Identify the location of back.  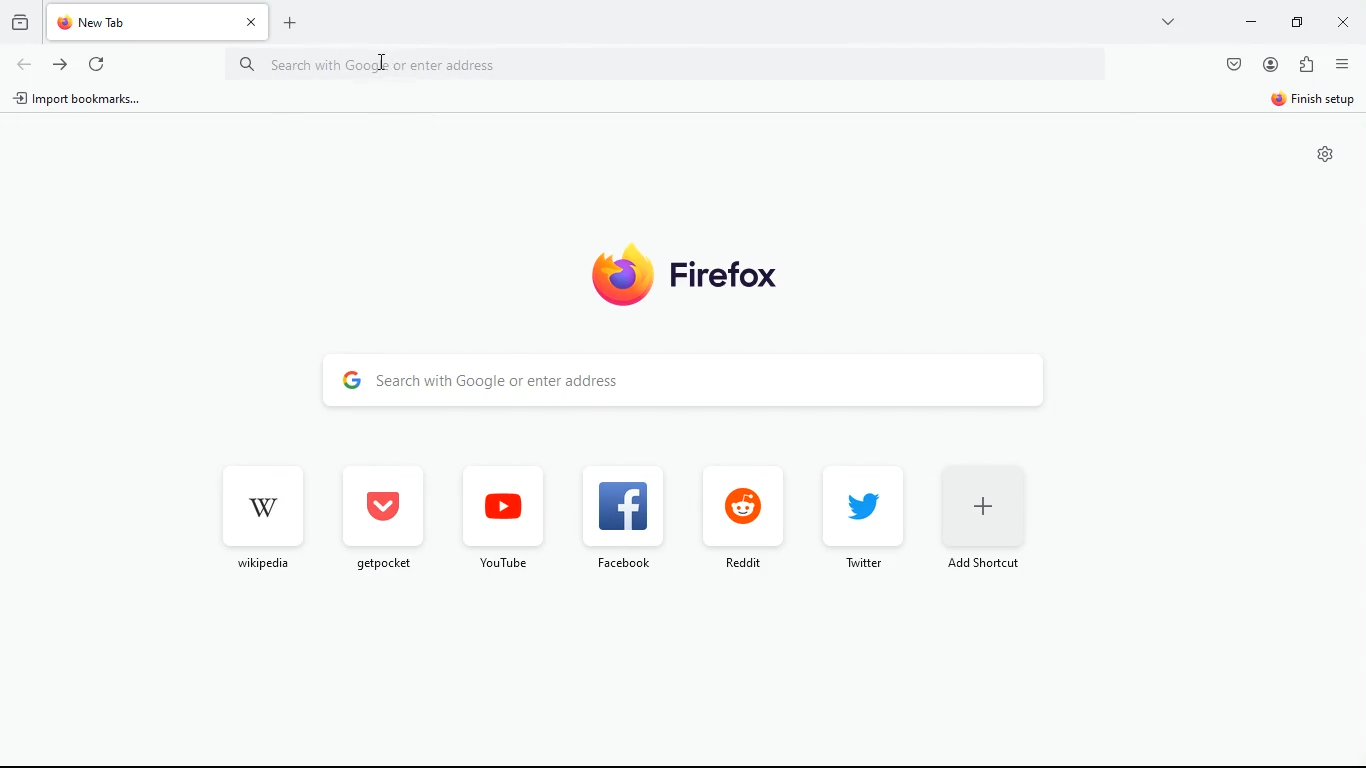
(23, 64).